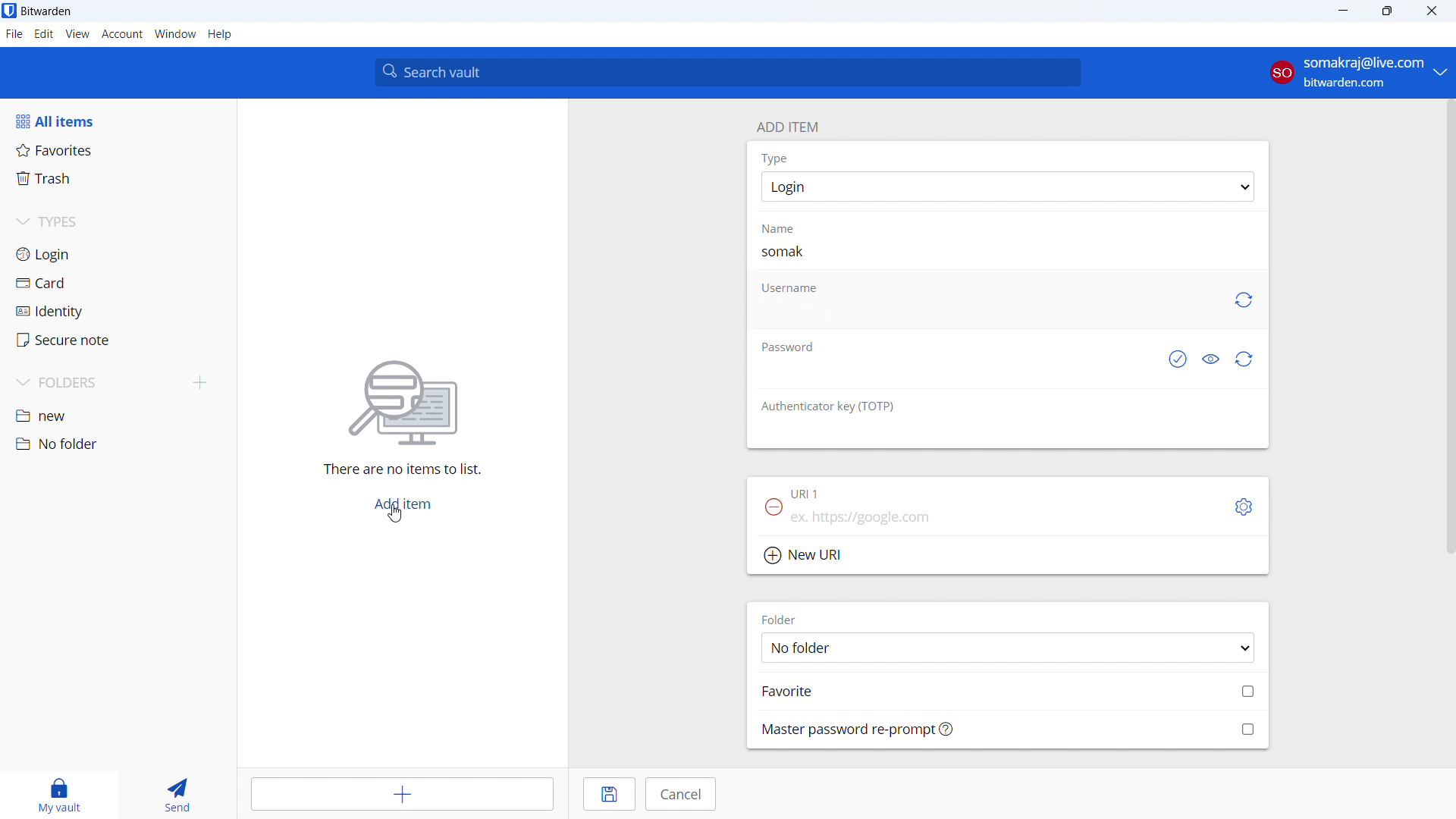 This screenshot has width=1456, height=819. Describe the element at coordinates (405, 794) in the screenshot. I see `add item` at that location.